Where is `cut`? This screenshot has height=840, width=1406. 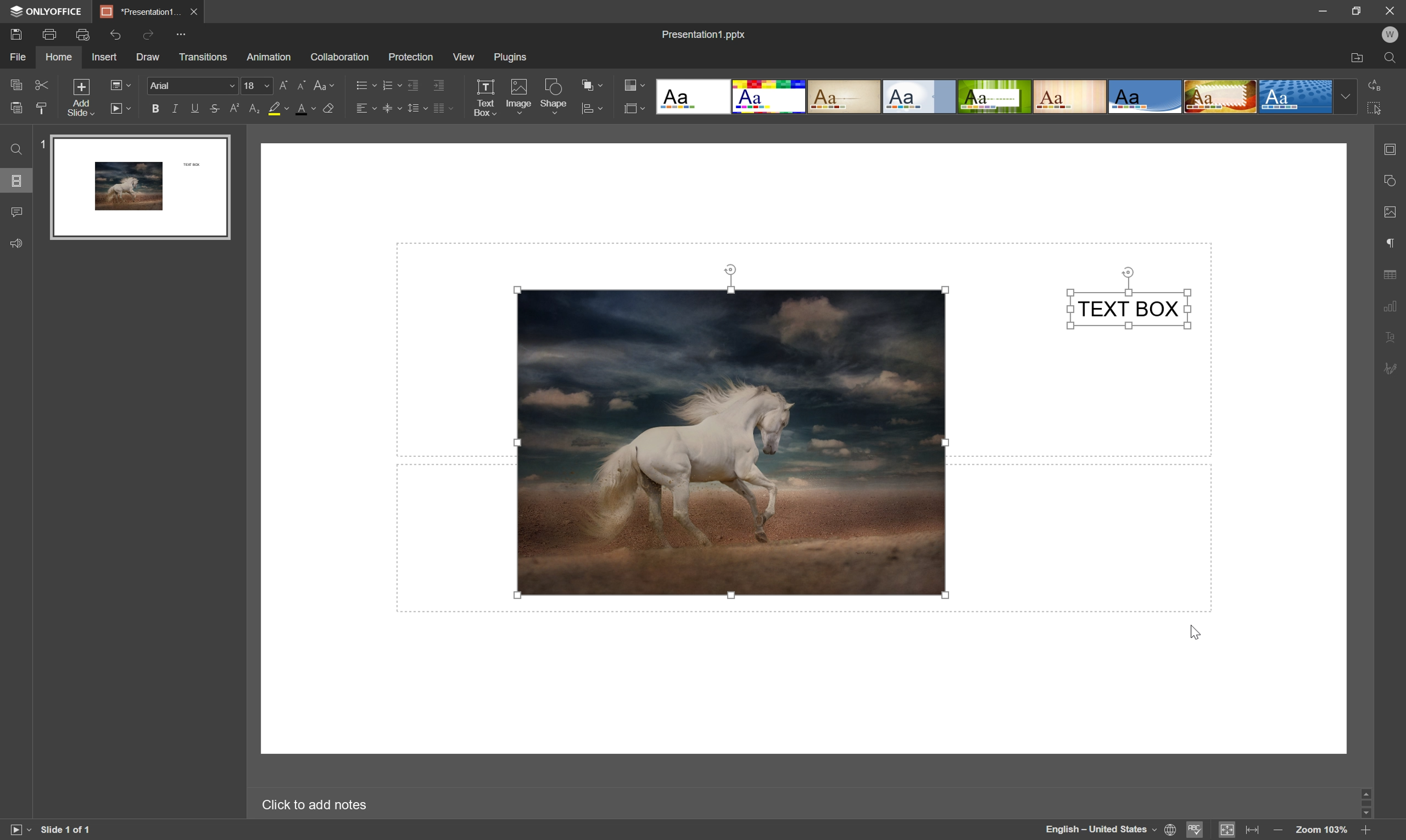 cut is located at coordinates (43, 84).